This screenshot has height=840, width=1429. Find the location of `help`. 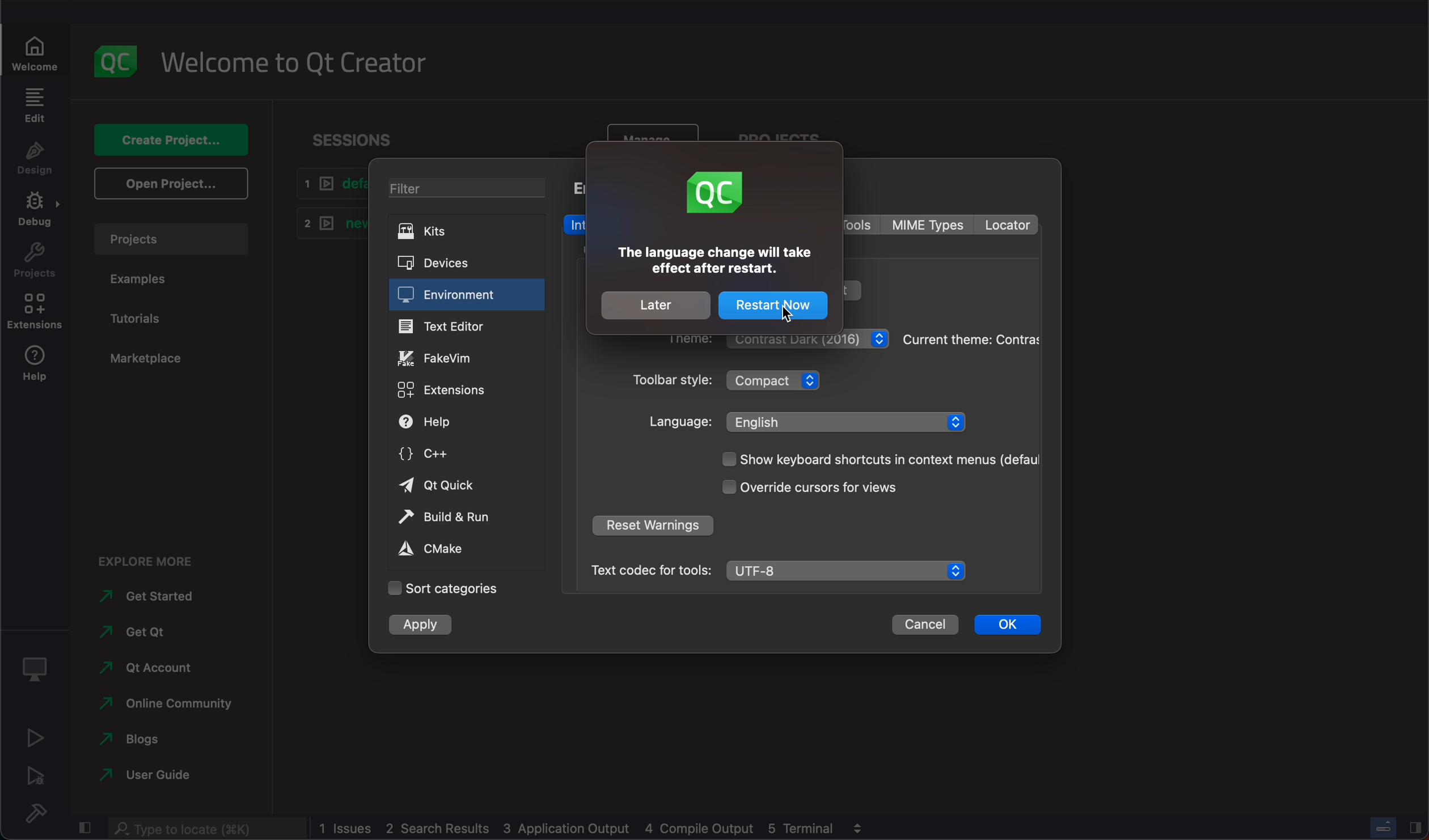

help is located at coordinates (467, 420).